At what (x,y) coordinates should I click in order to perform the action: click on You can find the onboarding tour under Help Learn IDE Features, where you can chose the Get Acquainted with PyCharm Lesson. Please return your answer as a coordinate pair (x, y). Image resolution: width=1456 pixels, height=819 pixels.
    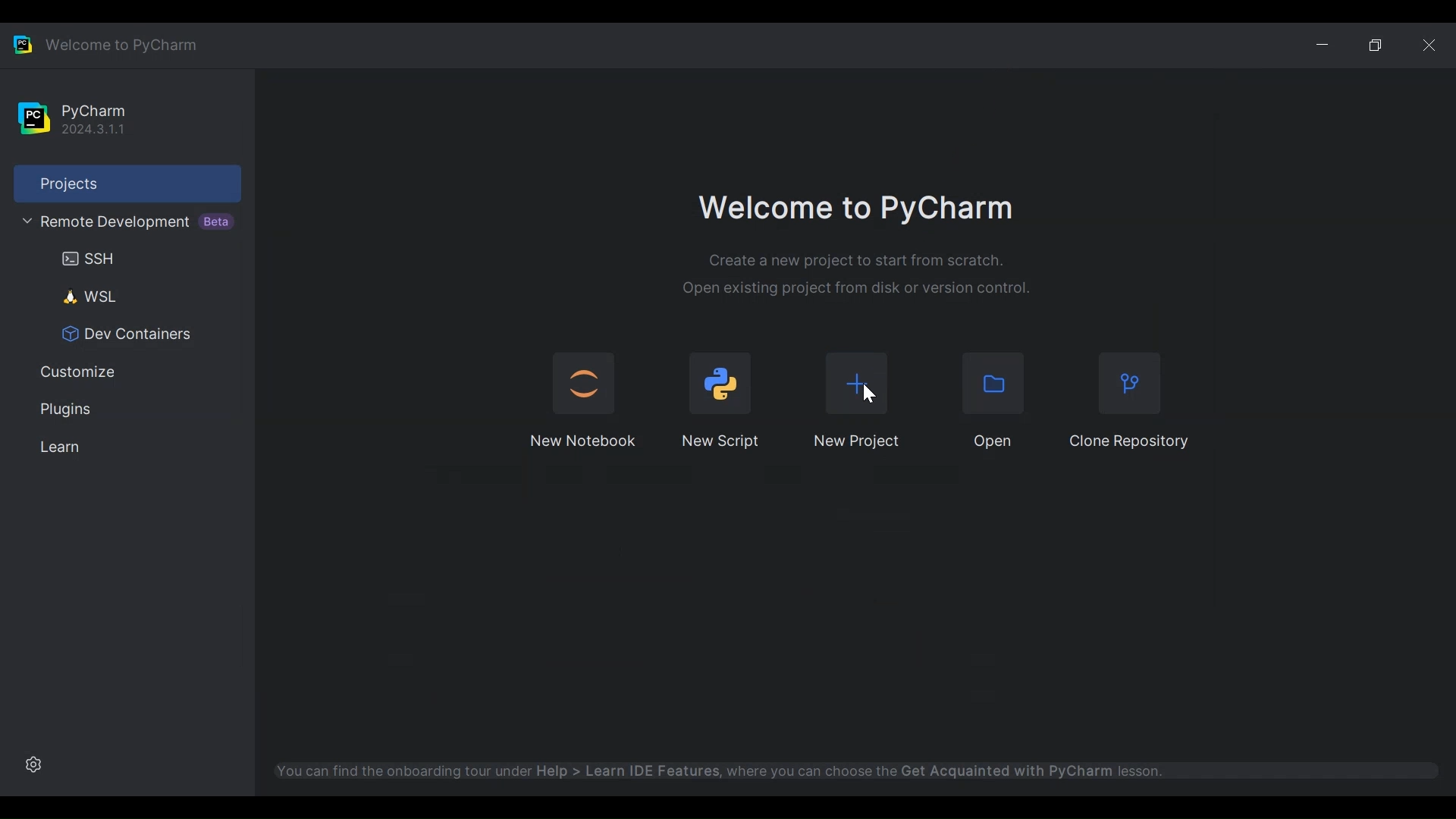
    Looking at the image, I should click on (775, 769).